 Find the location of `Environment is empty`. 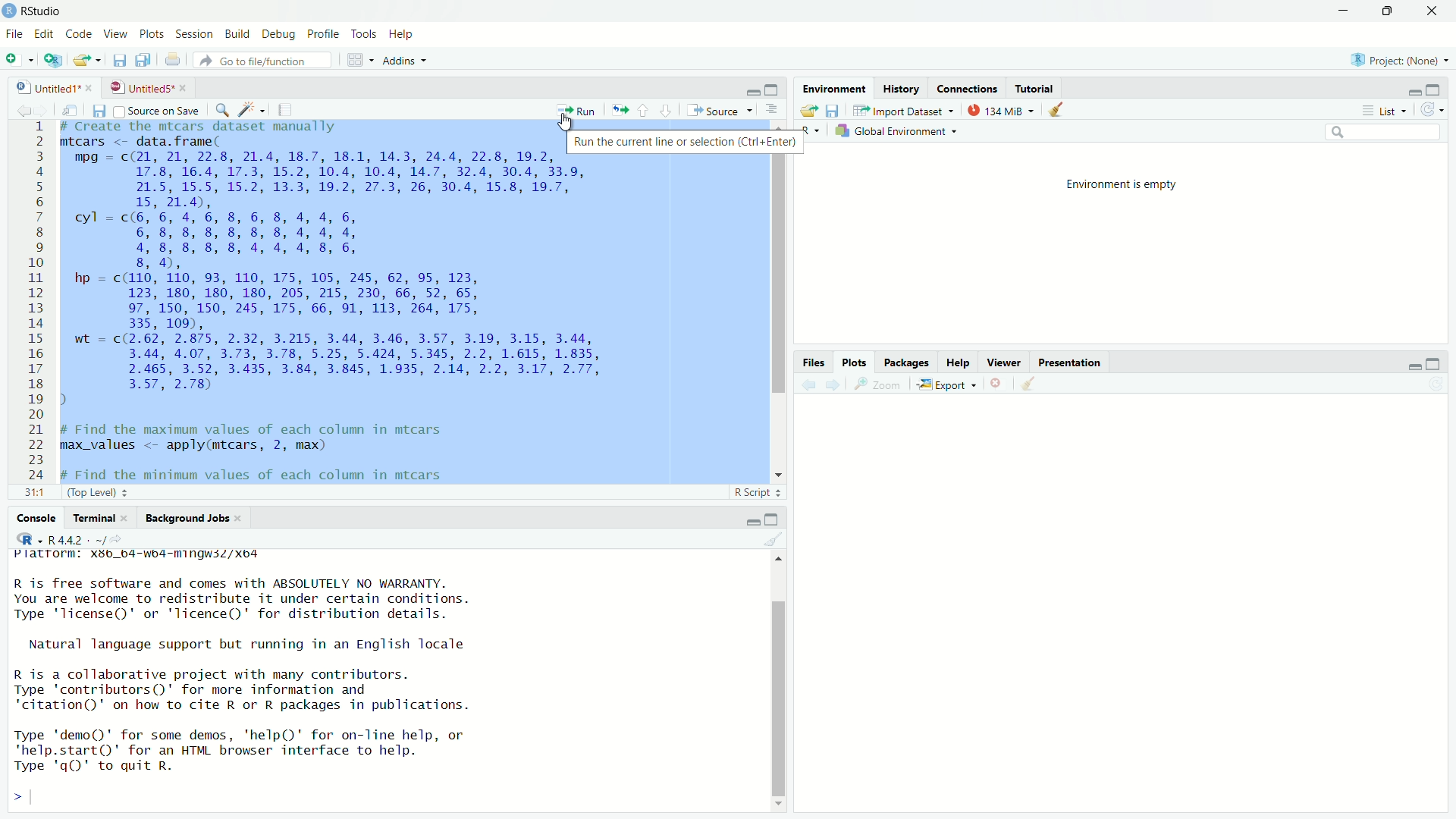

Environment is empty is located at coordinates (1123, 183).